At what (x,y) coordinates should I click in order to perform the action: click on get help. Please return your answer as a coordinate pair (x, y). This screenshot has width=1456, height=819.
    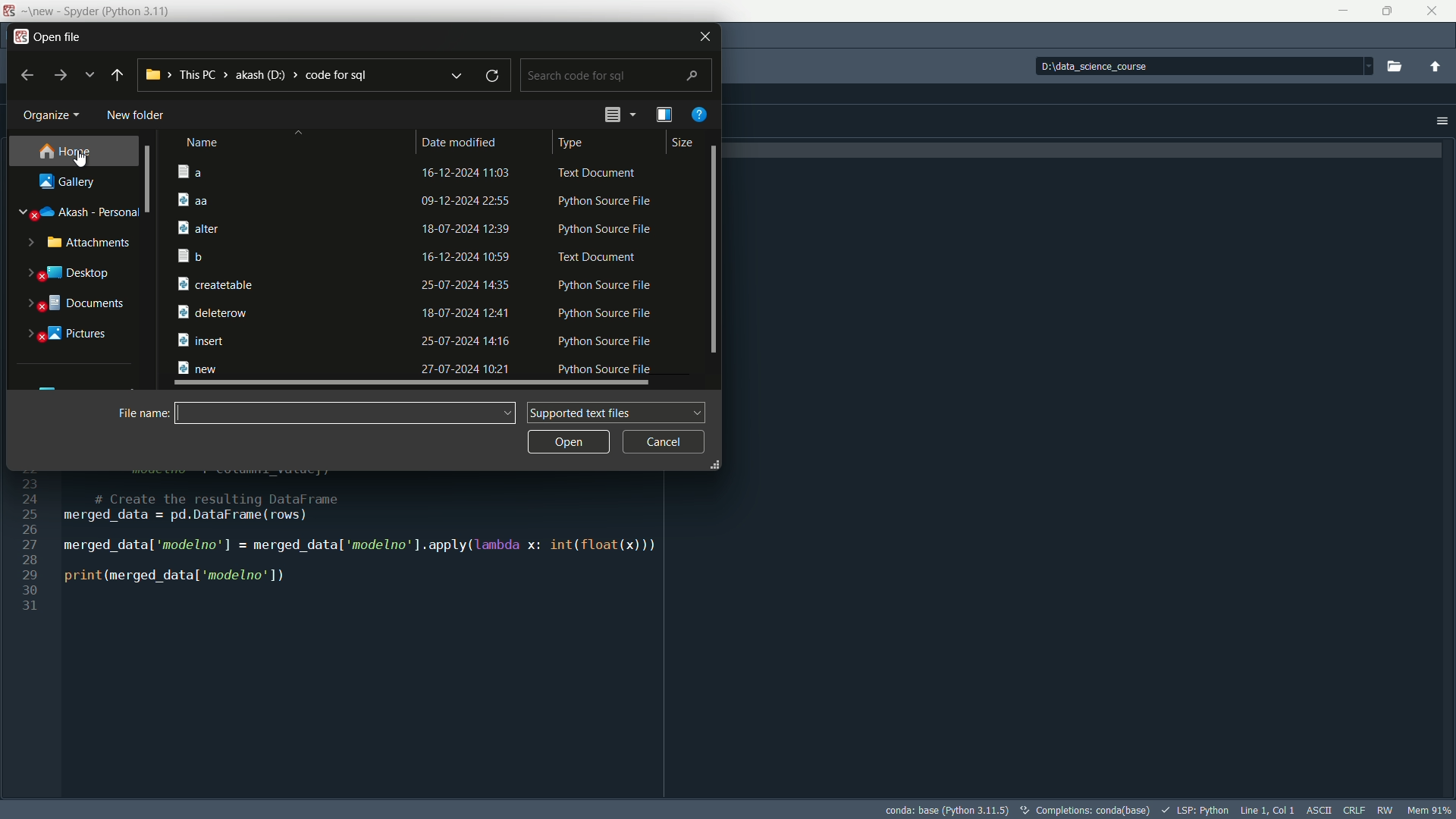
    Looking at the image, I should click on (700, 115).